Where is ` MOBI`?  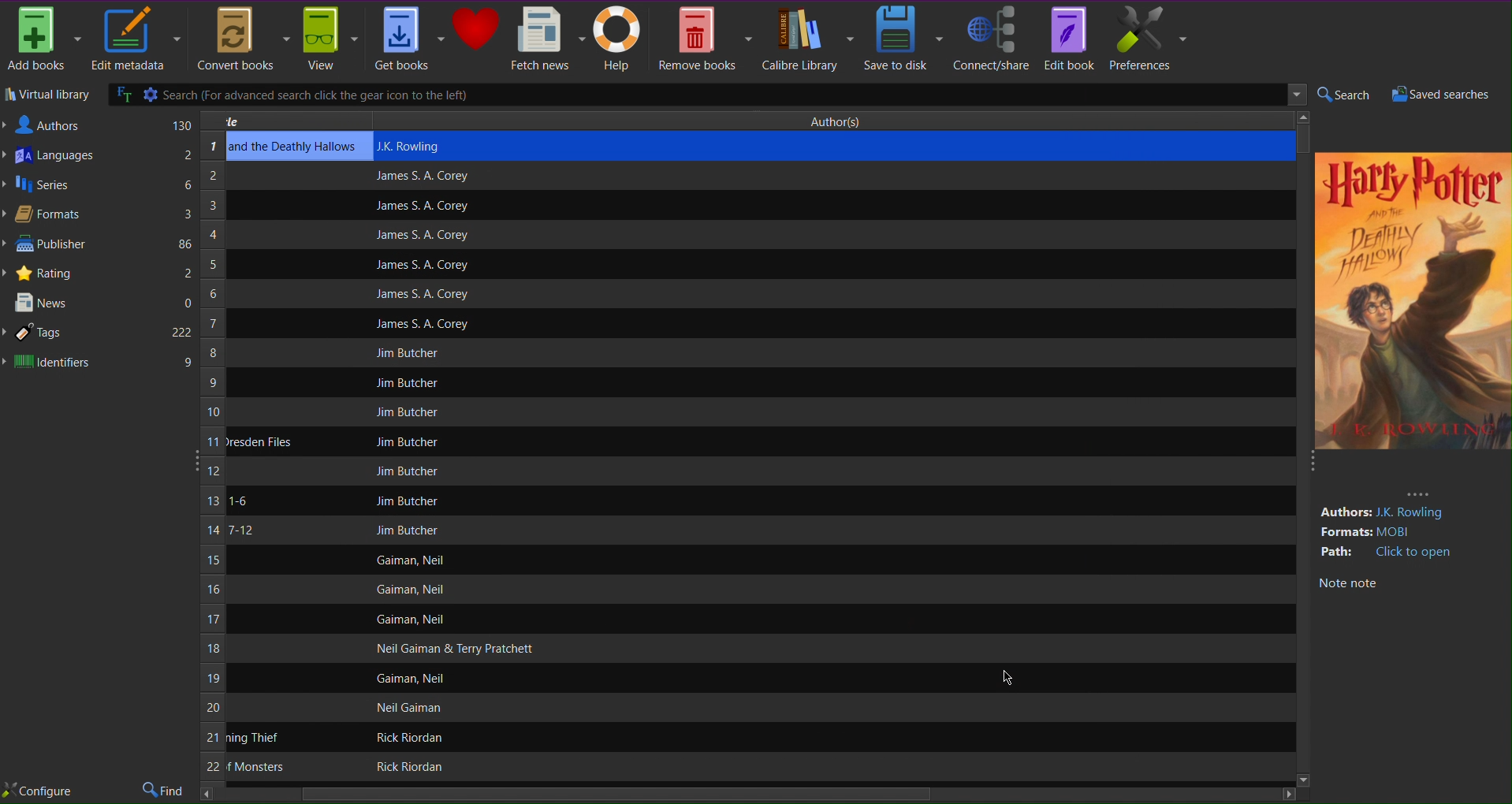
 MOBI is located at coordinates (1401, 532).